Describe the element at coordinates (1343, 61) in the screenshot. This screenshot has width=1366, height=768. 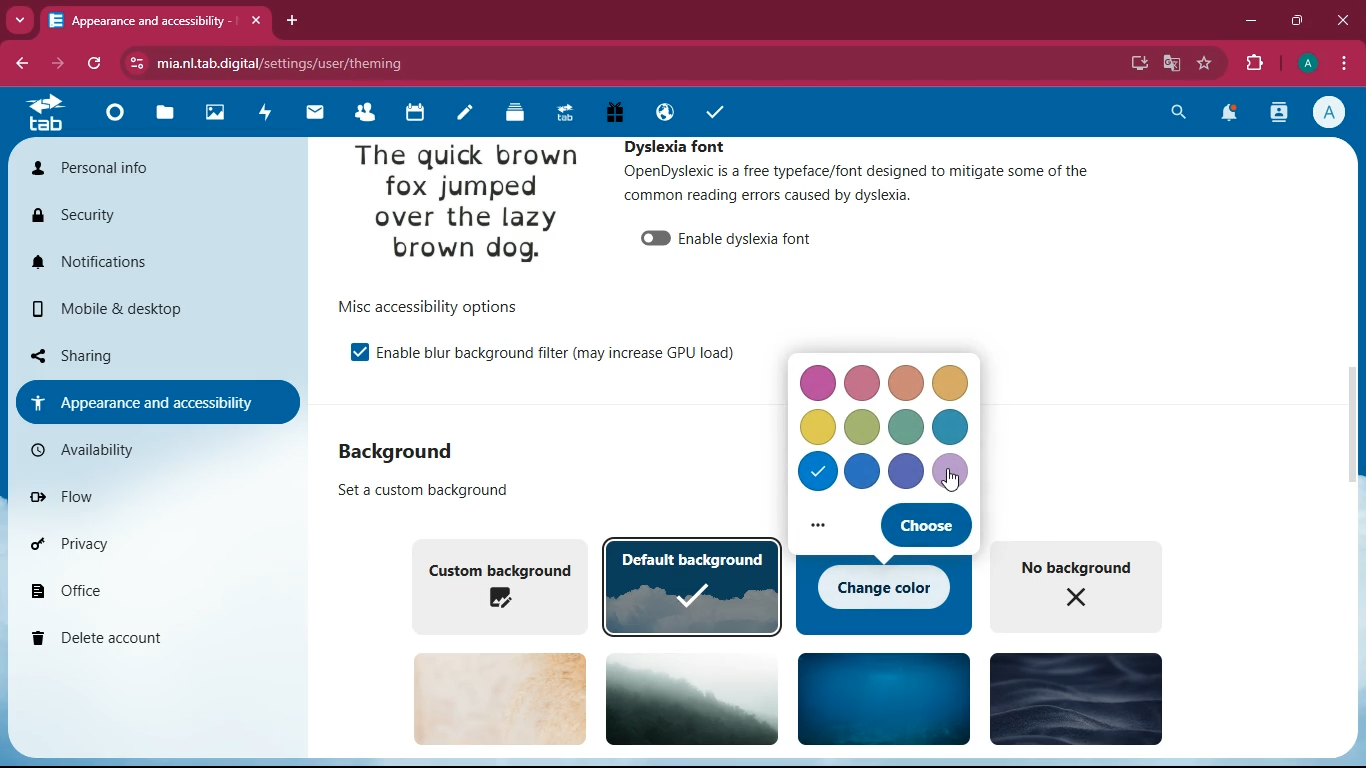
I see `menu` at that location.